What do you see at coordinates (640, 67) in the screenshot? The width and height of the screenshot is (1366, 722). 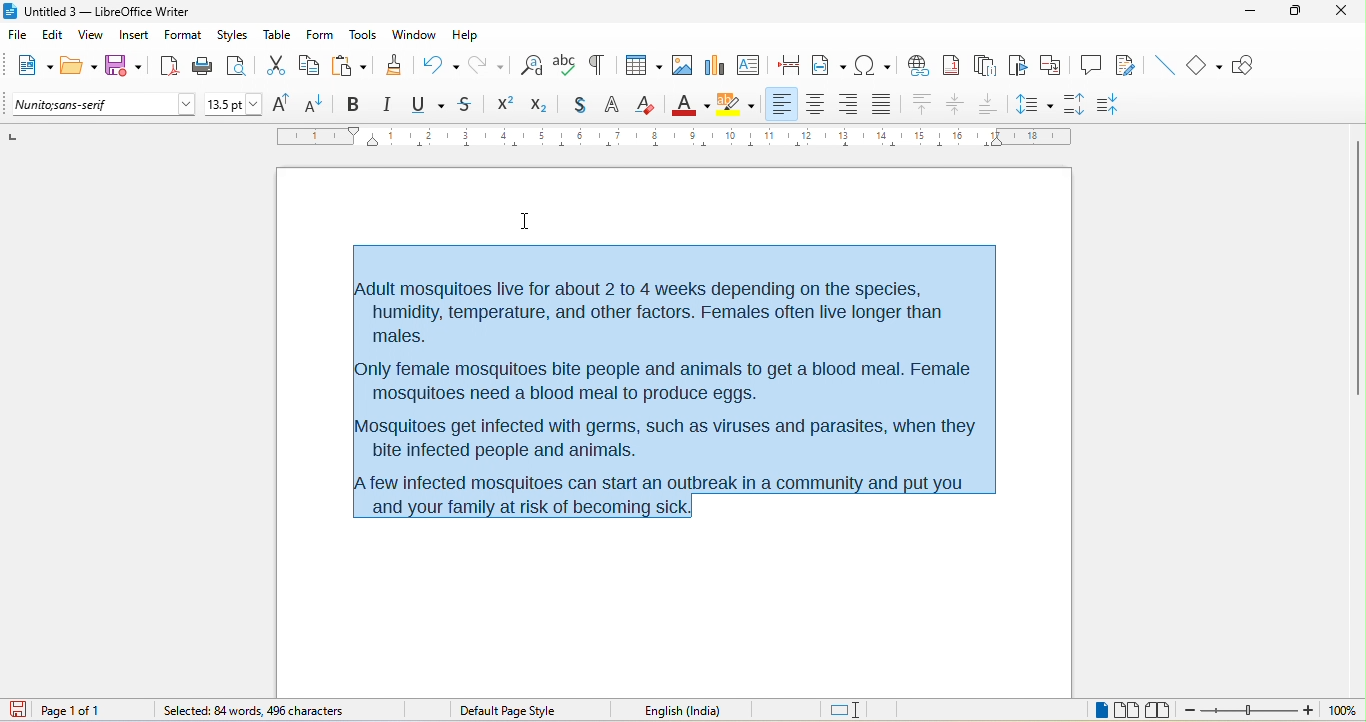 I see `table` at bounding box center [640, 67].